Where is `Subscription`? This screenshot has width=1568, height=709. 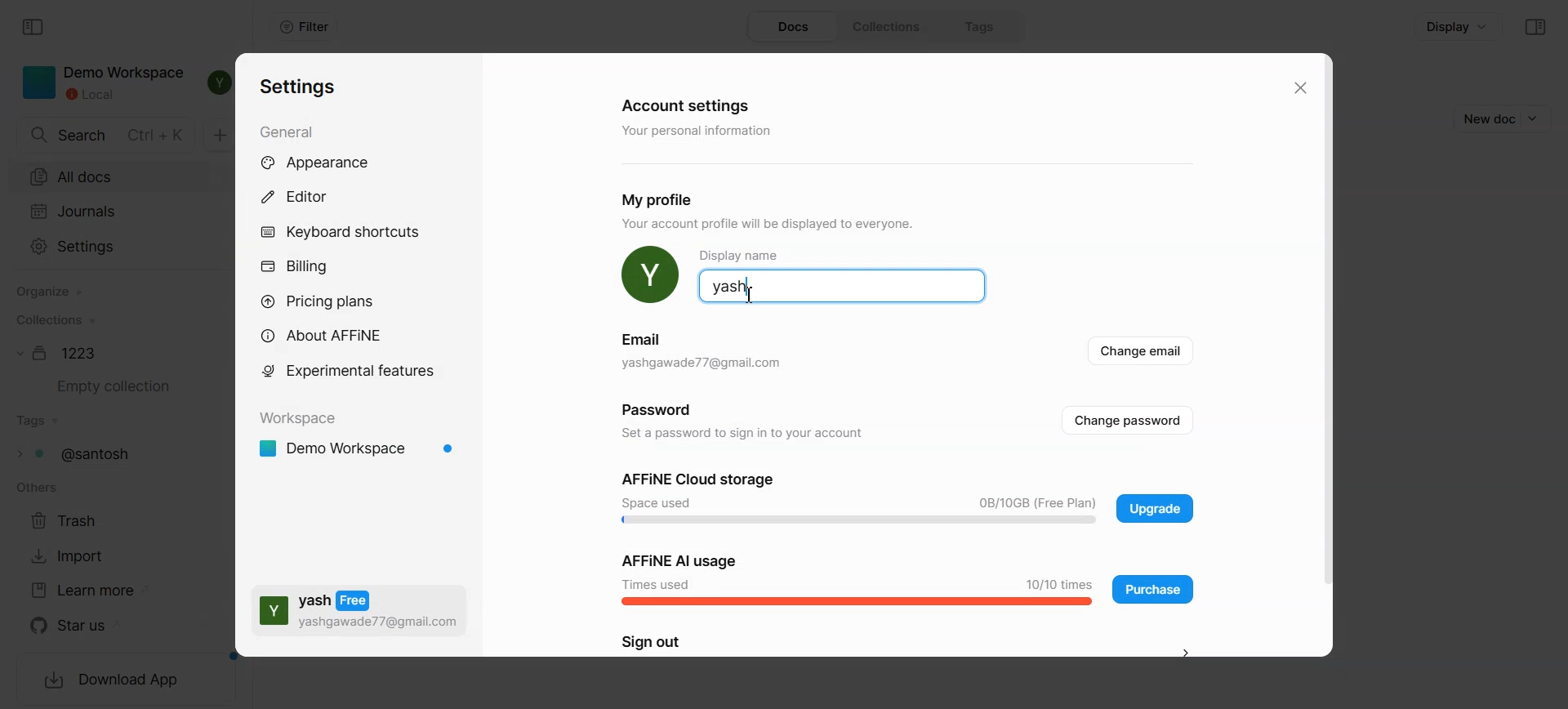
Subscription is located at coordinates (359, 609).